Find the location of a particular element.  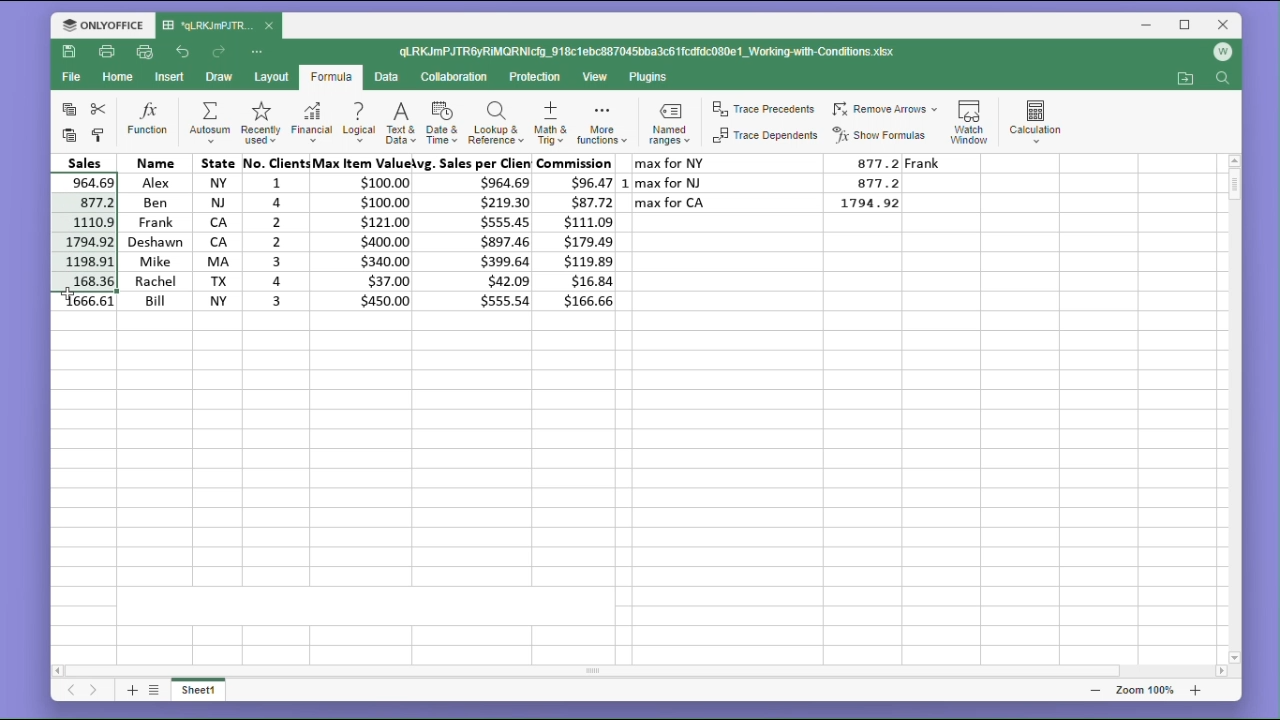

maths & trig is located at coordinates (549, 124).